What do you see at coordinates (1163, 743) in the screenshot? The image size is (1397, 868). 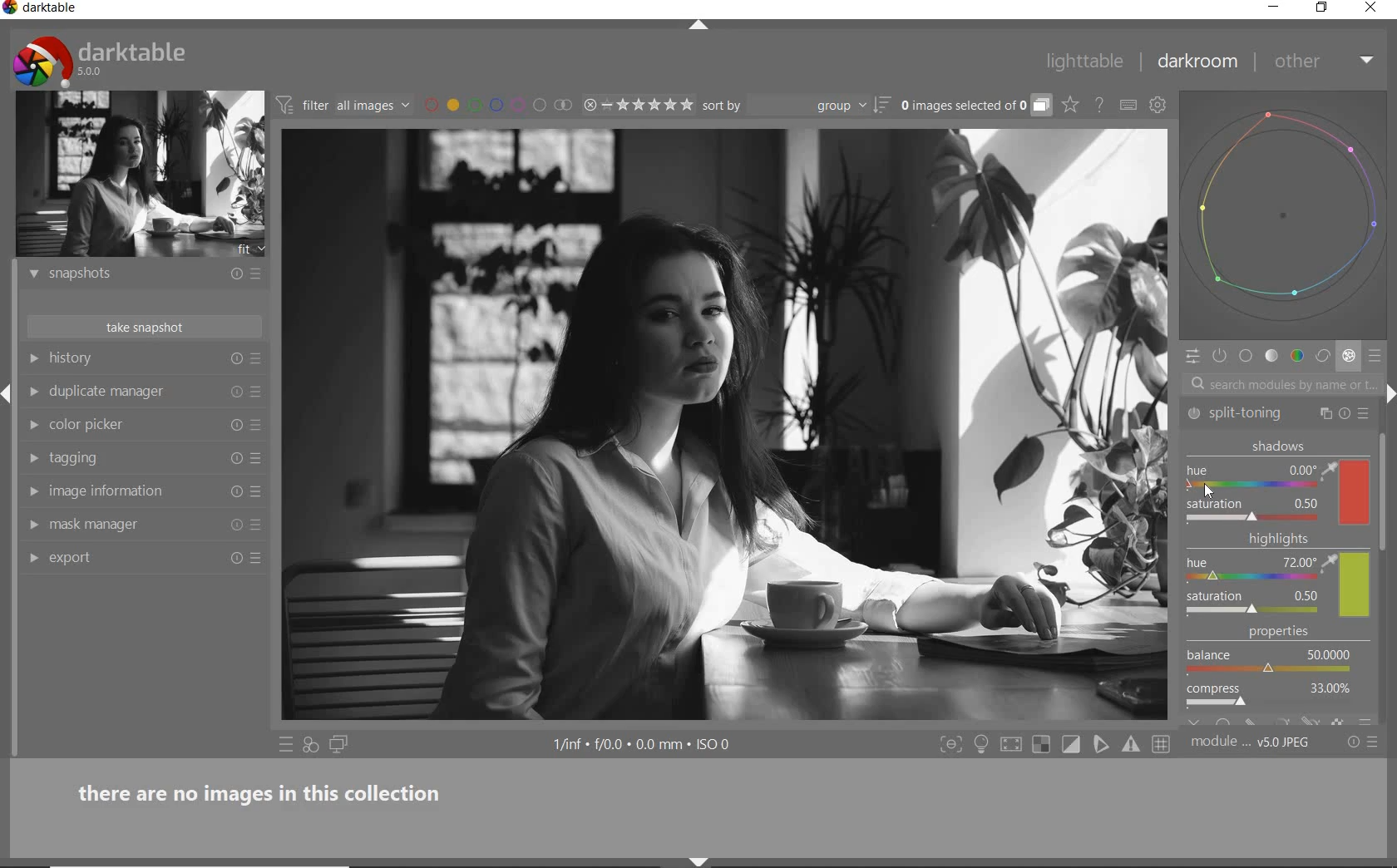 I see `Toggle guide lines` at bounding box center [1163, 743].